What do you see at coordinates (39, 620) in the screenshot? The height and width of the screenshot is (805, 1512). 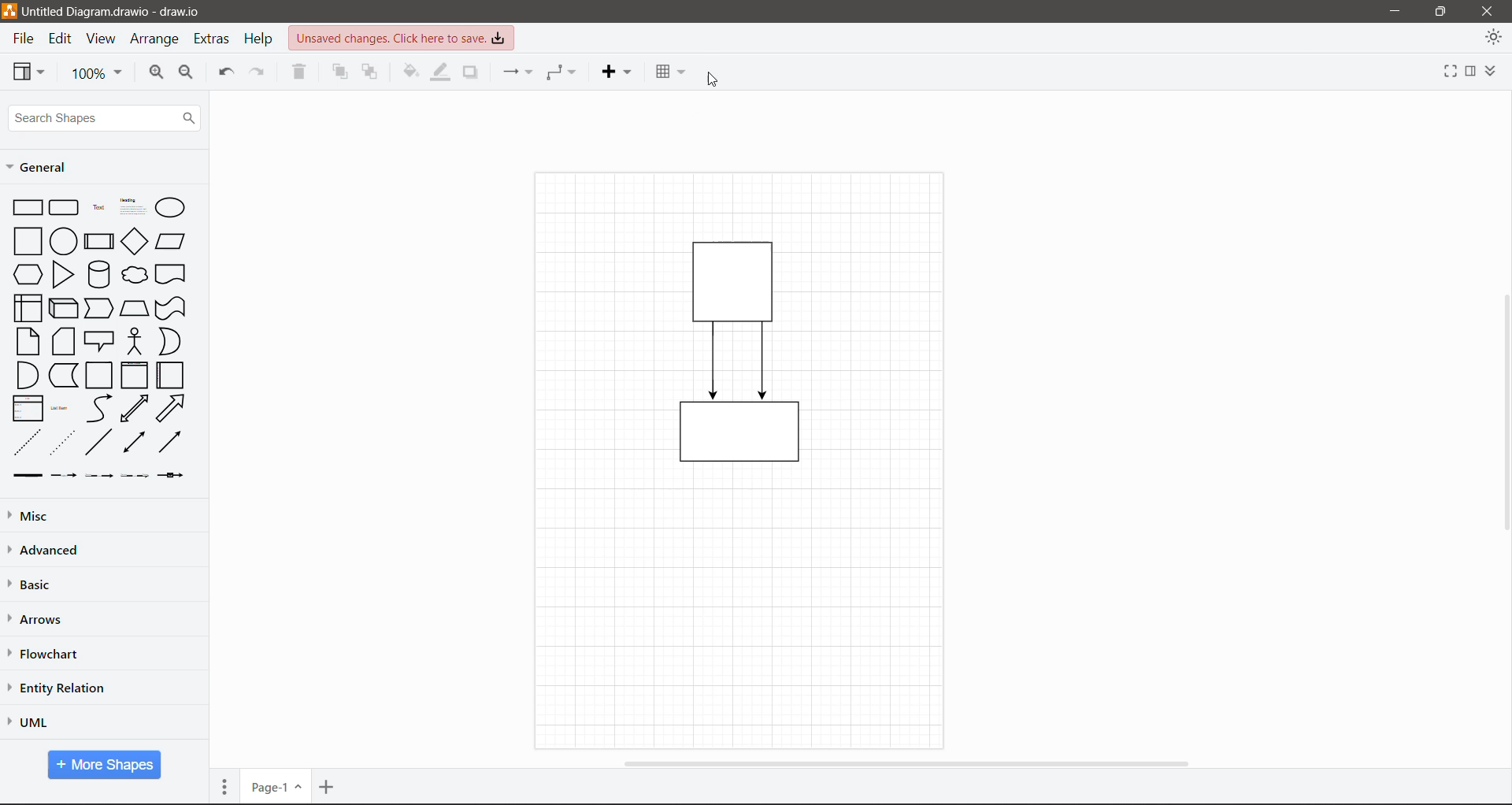 I see `Arrows` at bounding box center [39, 620].